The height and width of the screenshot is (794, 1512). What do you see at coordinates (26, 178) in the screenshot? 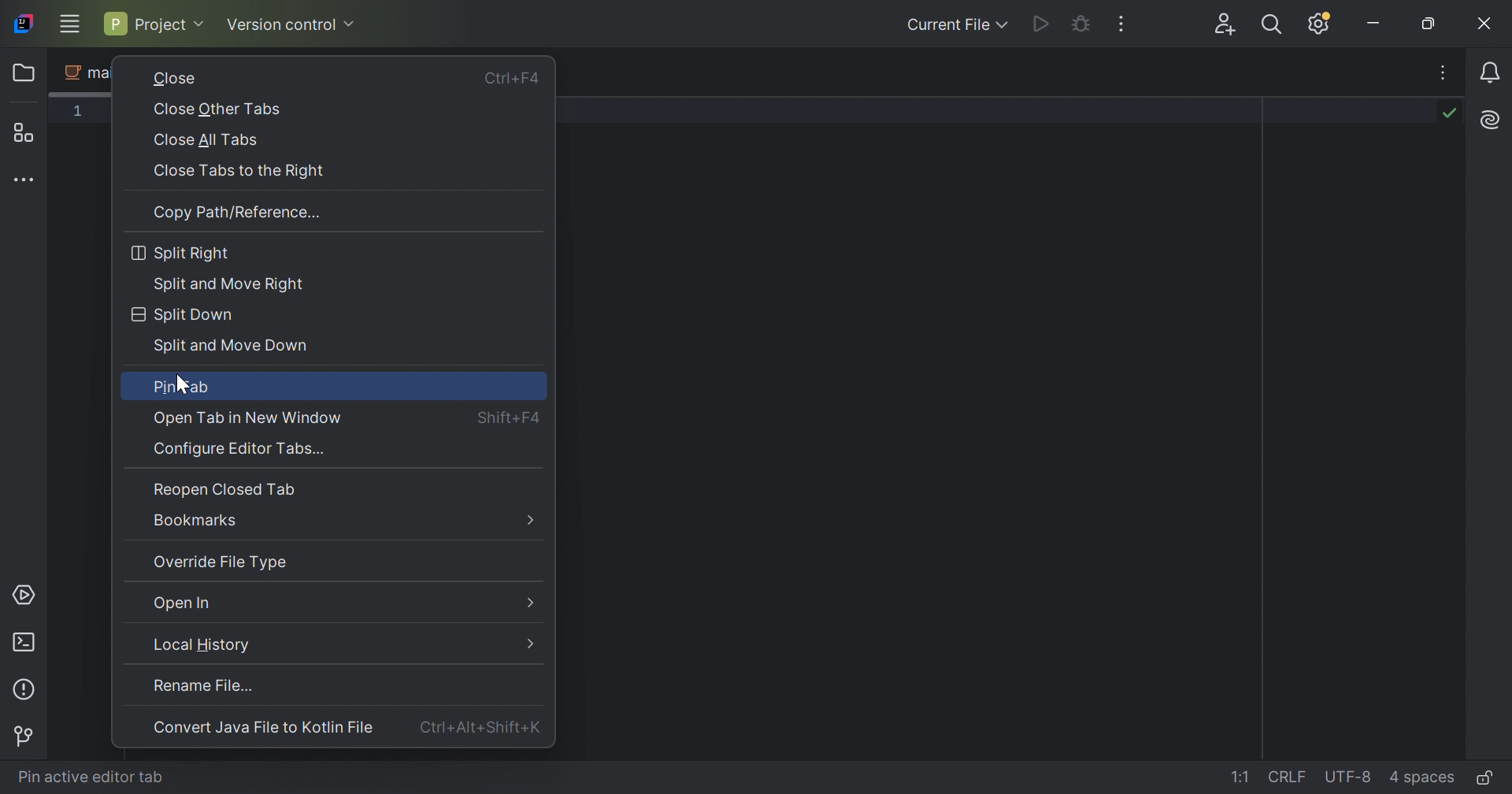
I see `More tool windows` at bounding box center [26, 178].